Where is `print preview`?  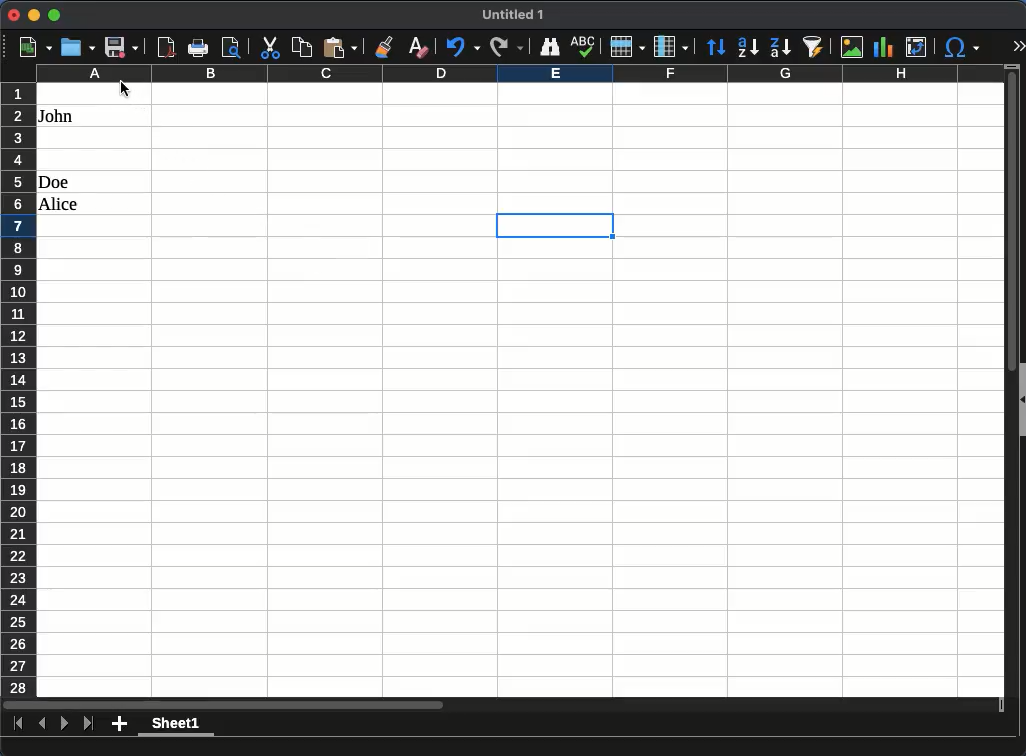 print preview is located at coordinates (231, 47).